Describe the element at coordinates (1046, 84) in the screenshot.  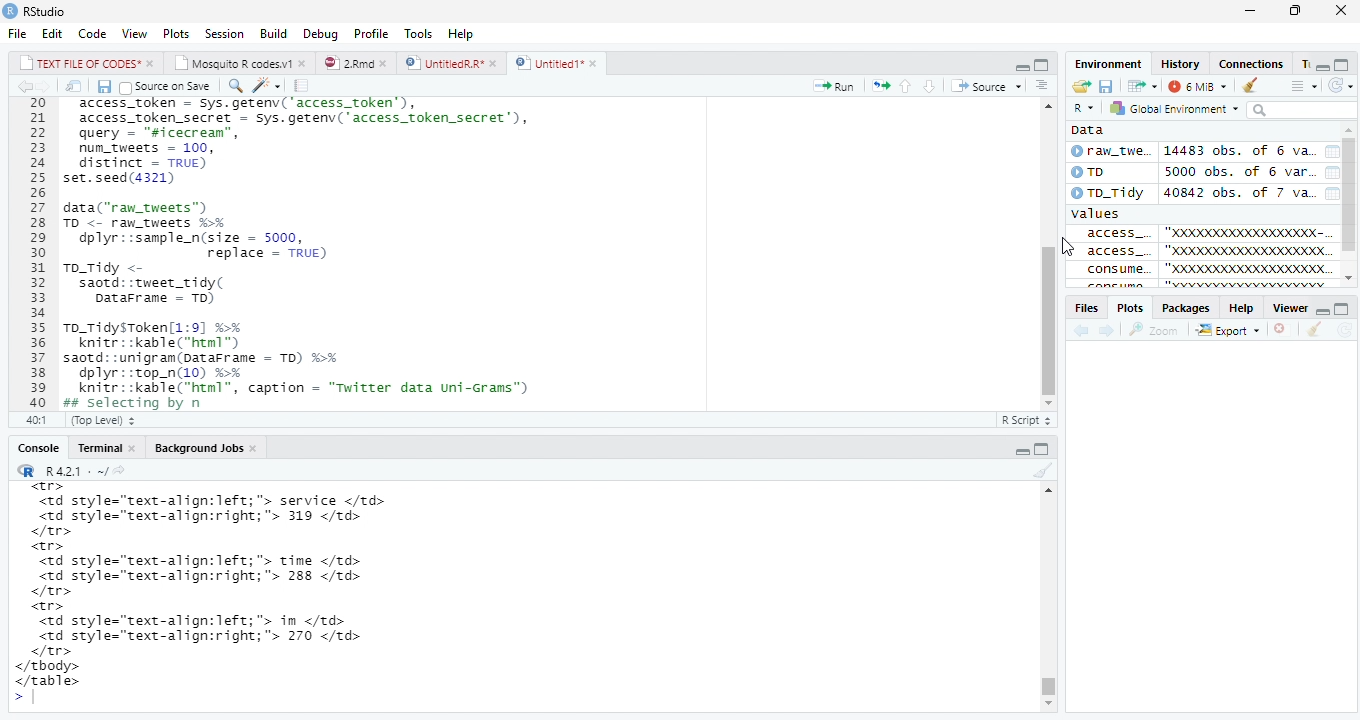
I see `show document outline` at that location.